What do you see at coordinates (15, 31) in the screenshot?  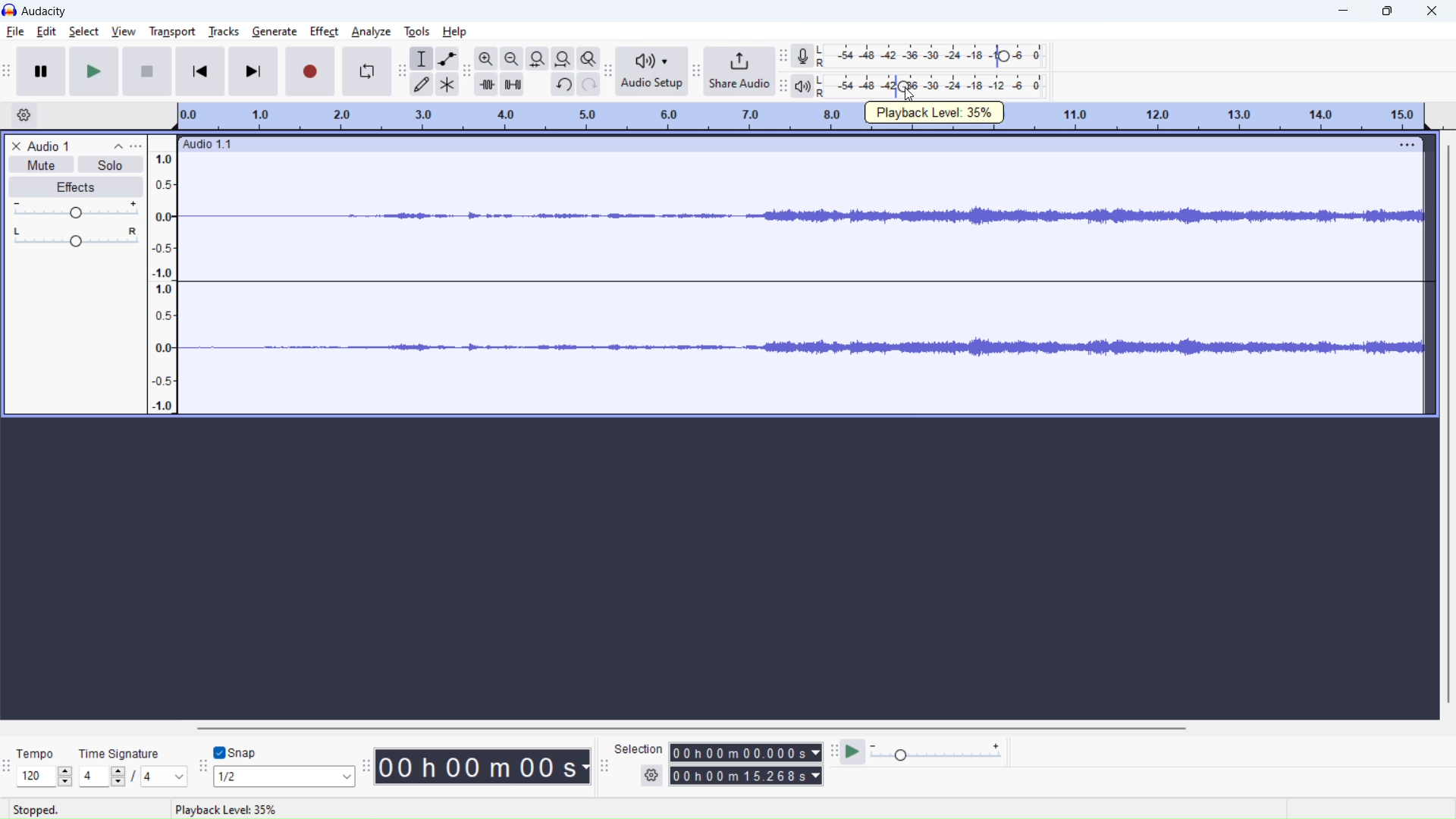 I see `file` at bounding box center [15, 31].